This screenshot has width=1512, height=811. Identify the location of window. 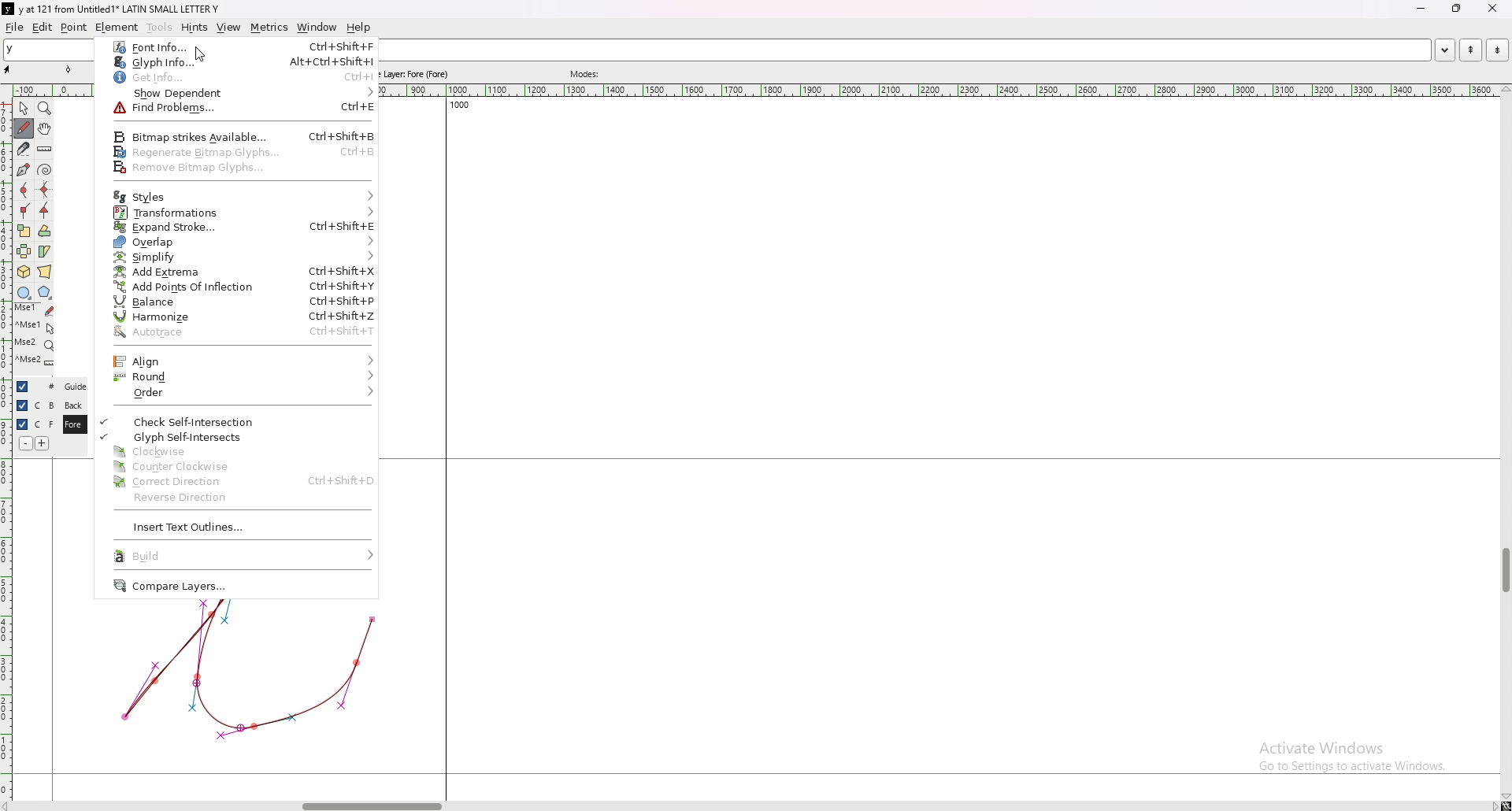
(317, 28).